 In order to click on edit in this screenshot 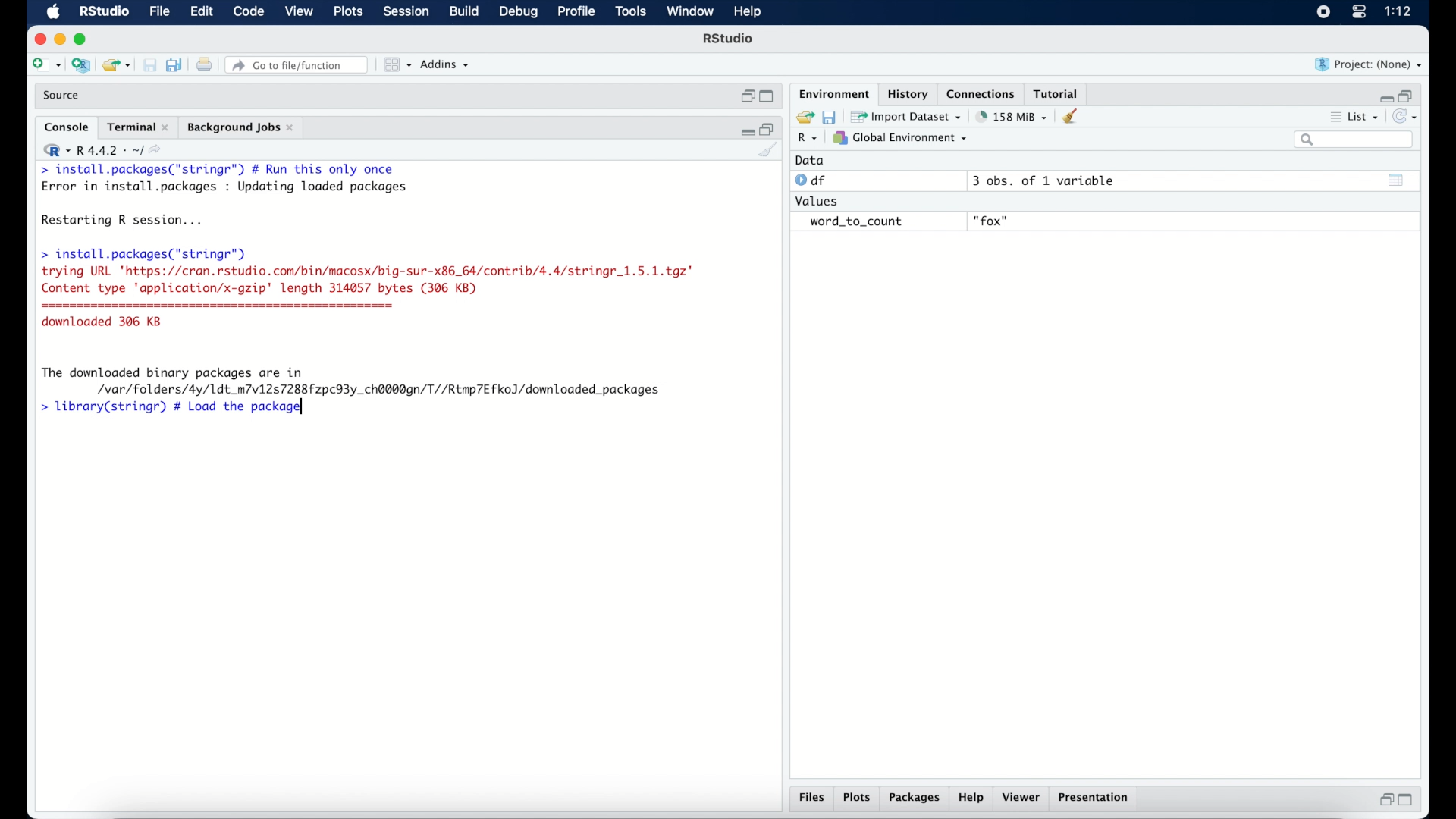, I will do `click(201, 12)`.